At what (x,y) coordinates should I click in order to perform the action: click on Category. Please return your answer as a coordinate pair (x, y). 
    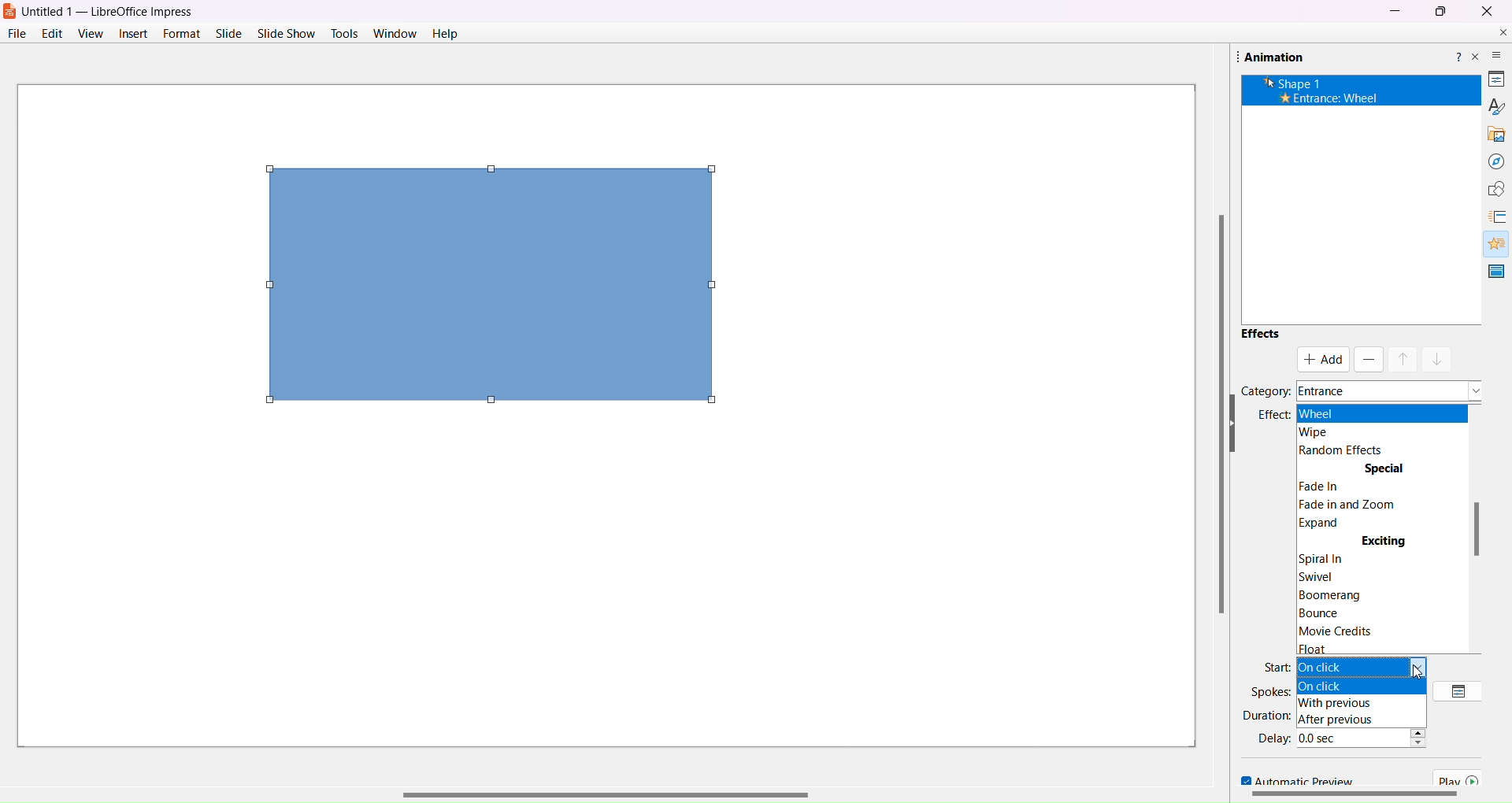
    Looking at the image, I should click on (1266, 390).